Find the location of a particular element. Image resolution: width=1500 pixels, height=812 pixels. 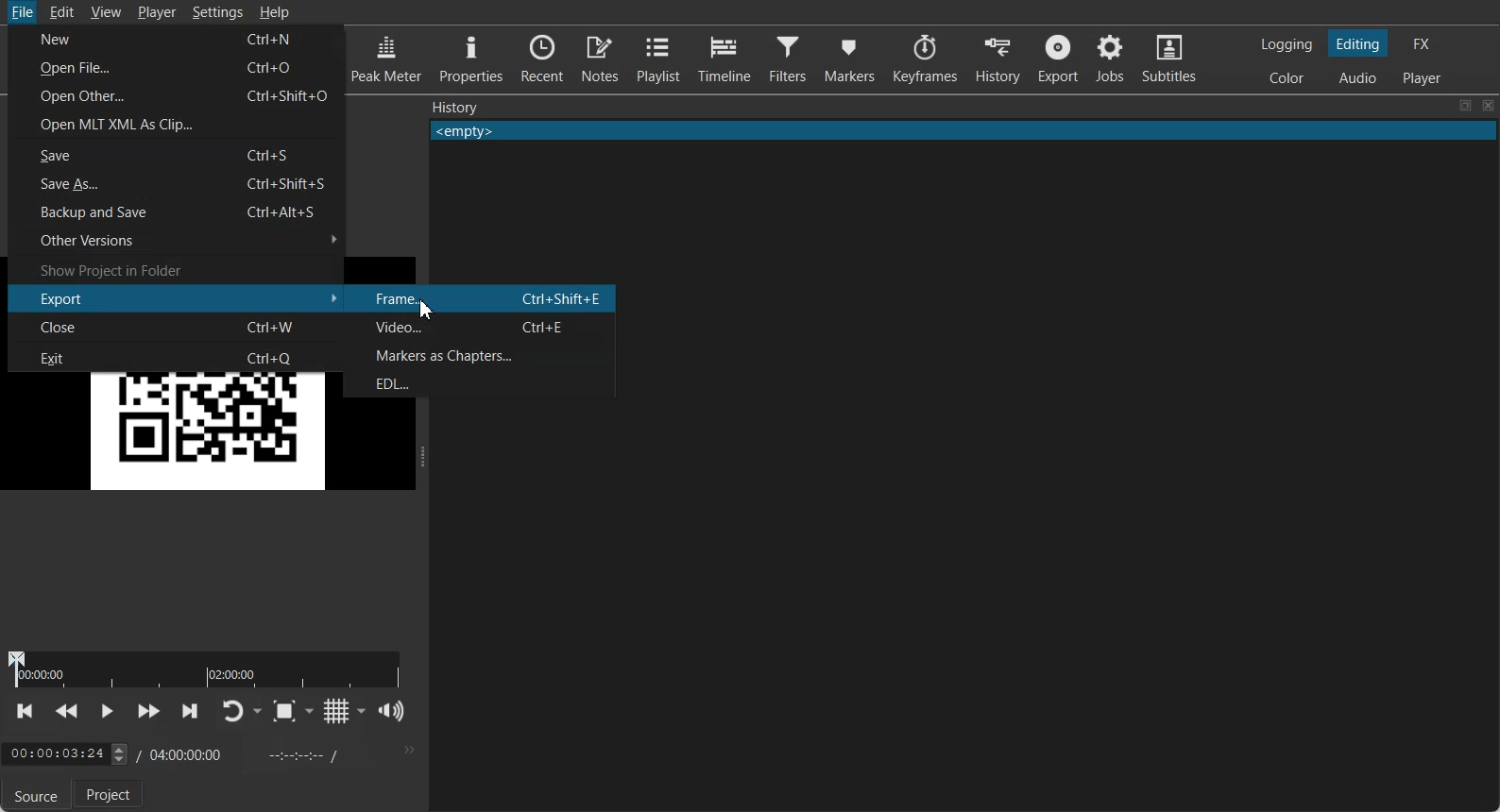

Ctrl+Shift+E is located at coordinates (563, 297).